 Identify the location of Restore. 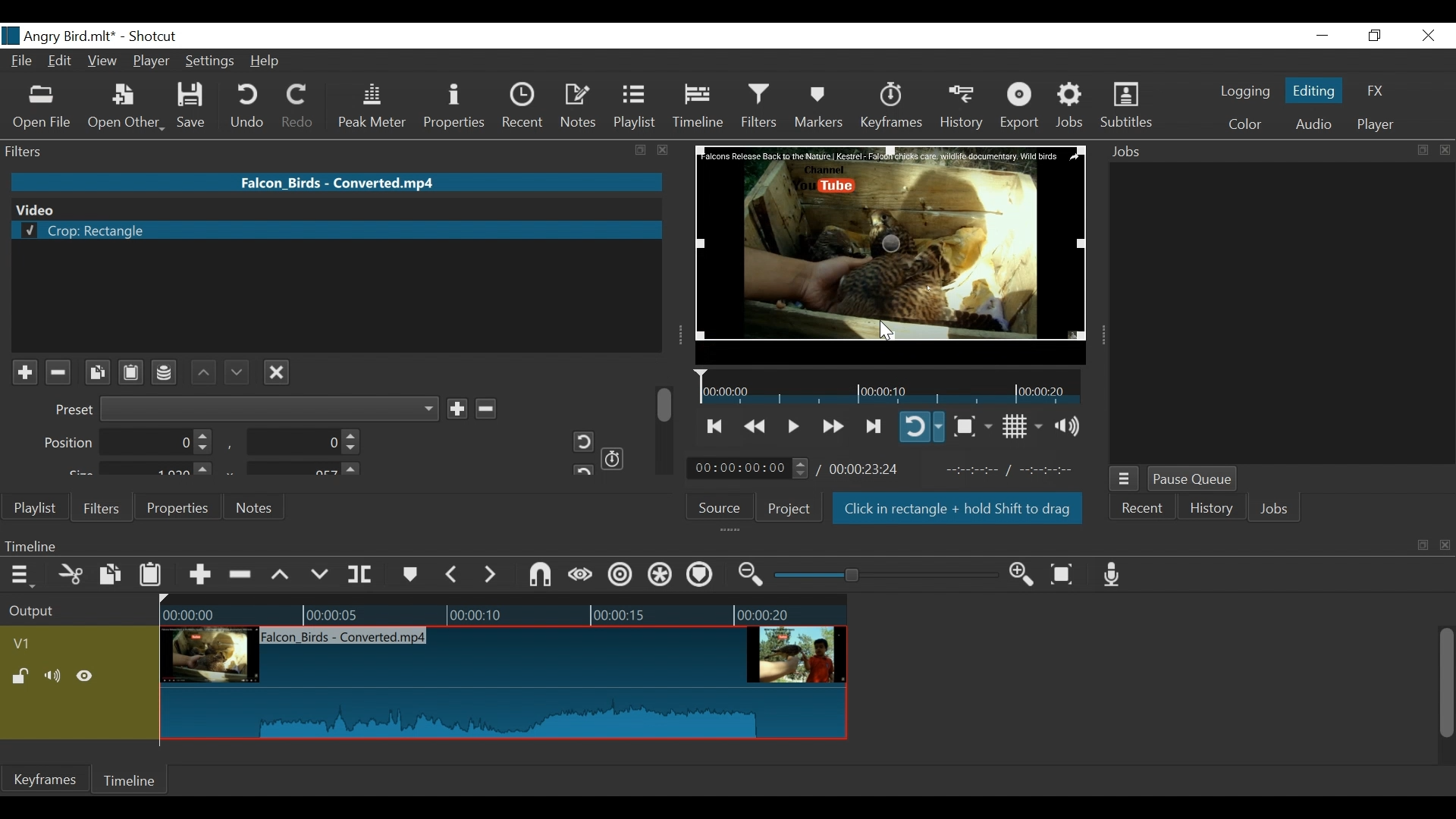
(1375, 36).